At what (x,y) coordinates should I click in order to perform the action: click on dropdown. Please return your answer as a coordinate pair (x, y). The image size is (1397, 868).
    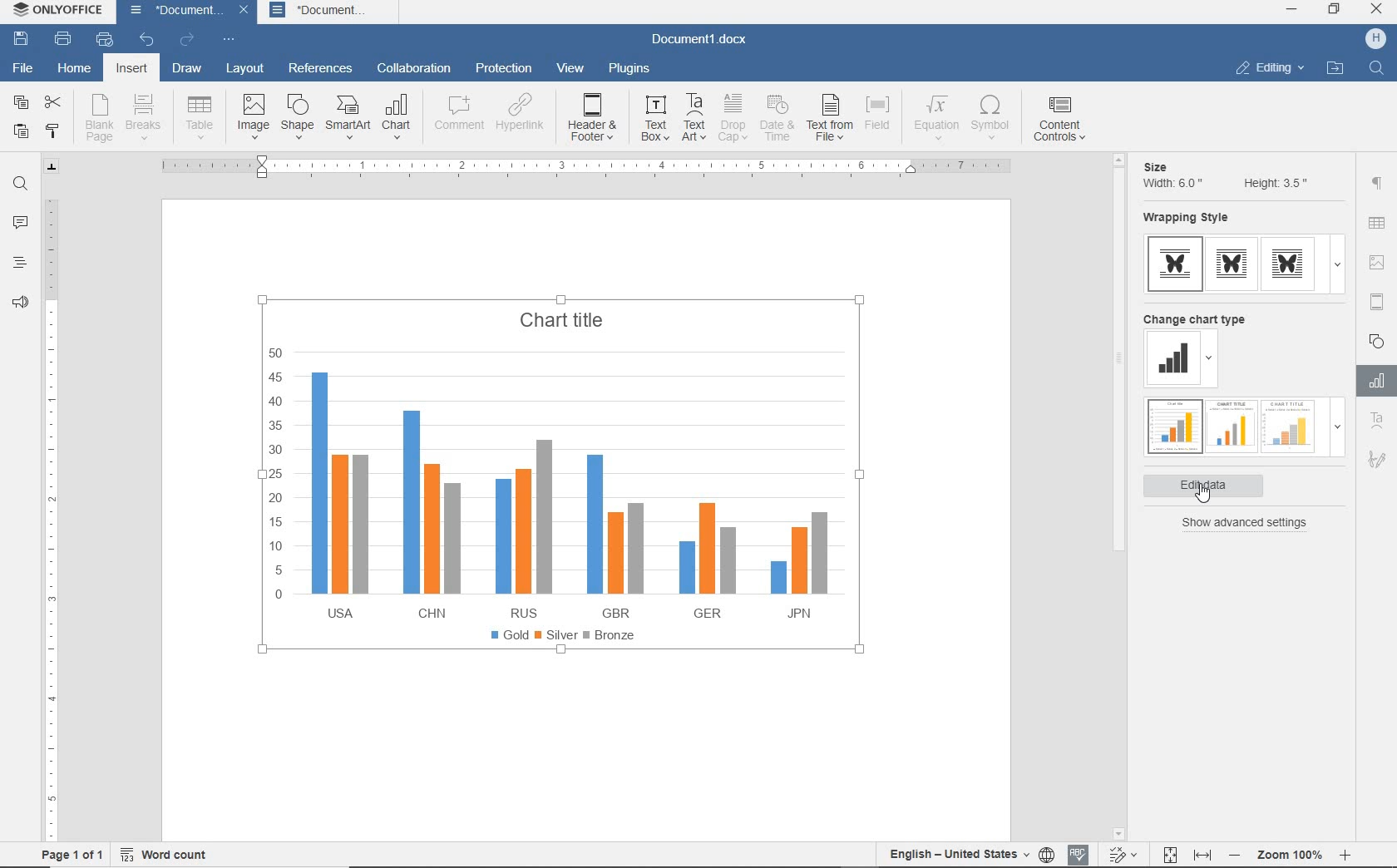
    Looking at the image, I should click on (1212, 361).